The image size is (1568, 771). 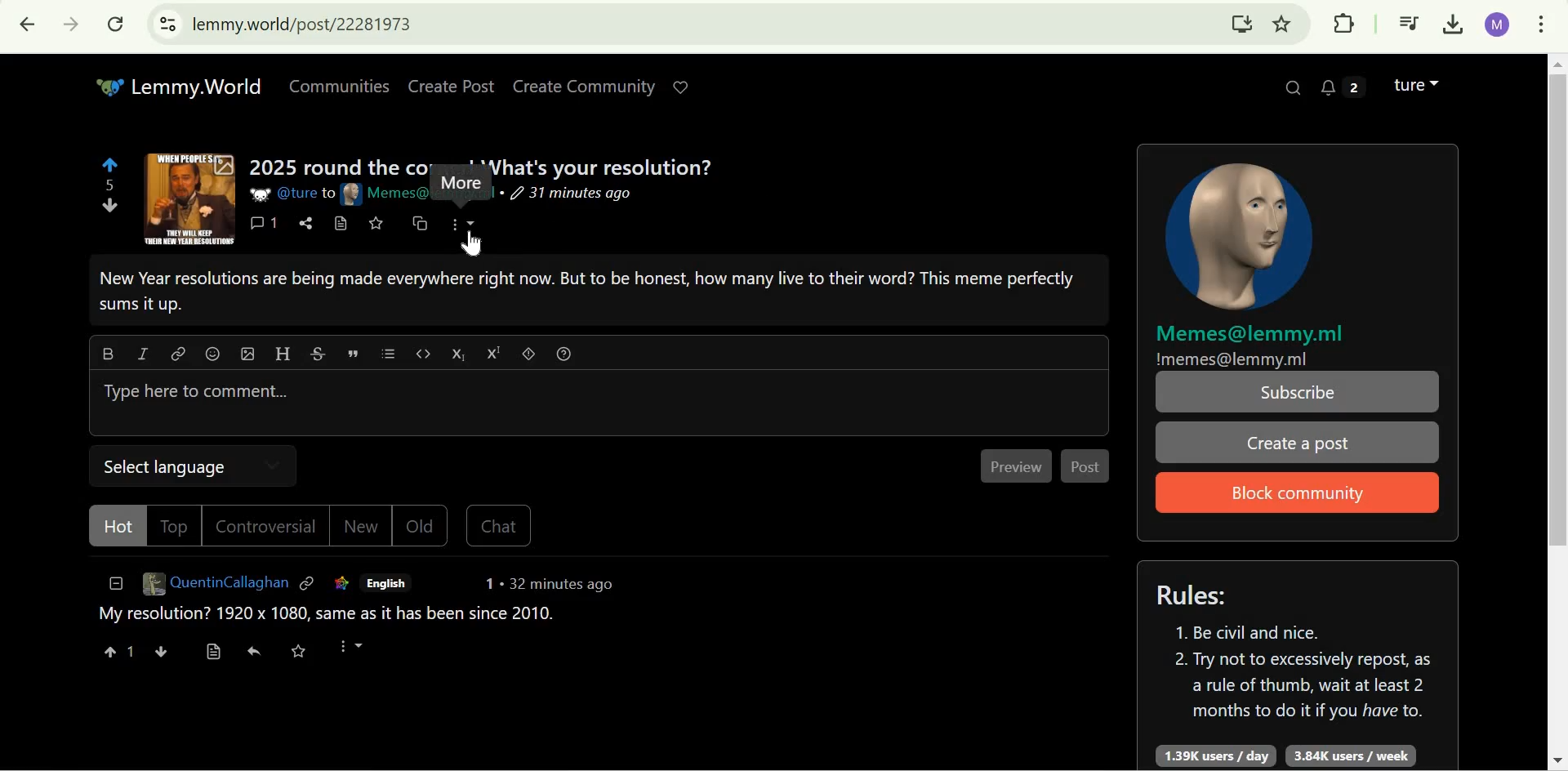 What do you see at coordinates (1303, 687) in the screenshot?
I see `2. Try not to excessively repost, as
a rule of thumb, wait at least 2
months to do it if you have to.` at bounding box center [1303, 687].